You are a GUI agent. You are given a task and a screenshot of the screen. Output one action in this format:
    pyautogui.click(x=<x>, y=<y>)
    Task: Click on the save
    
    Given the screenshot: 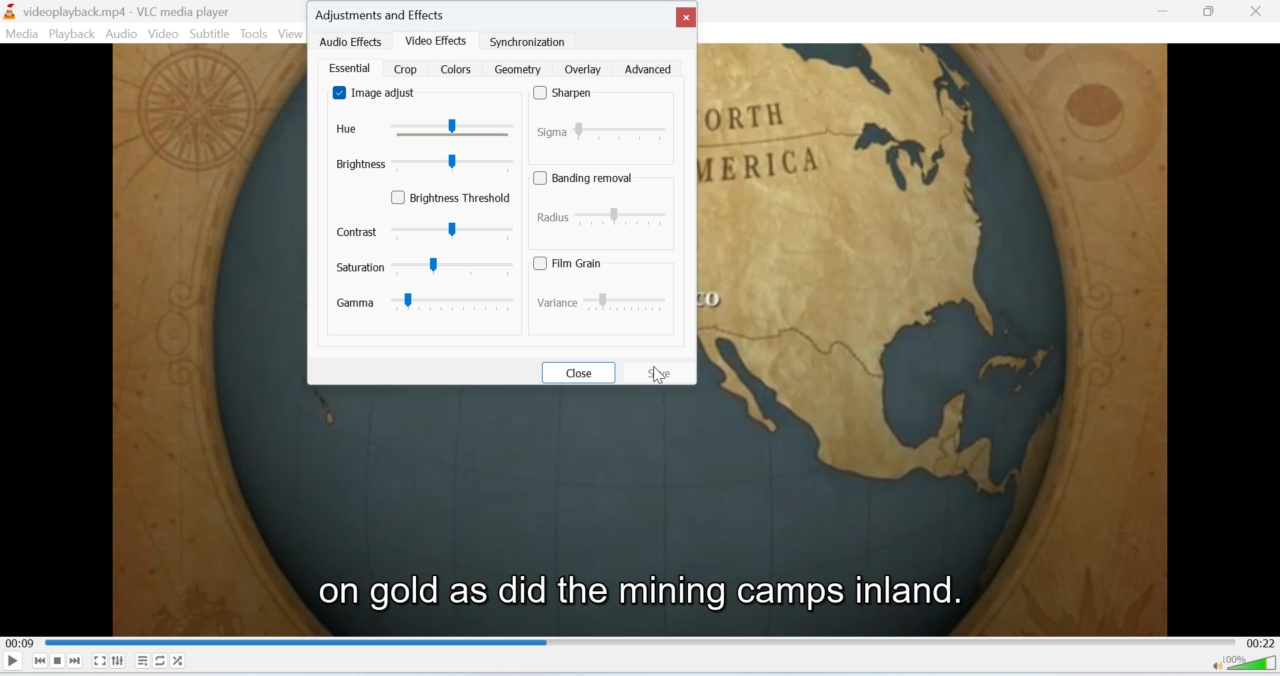 What is the action you would take?
    pyautogui.click(x=661, y=372)
    